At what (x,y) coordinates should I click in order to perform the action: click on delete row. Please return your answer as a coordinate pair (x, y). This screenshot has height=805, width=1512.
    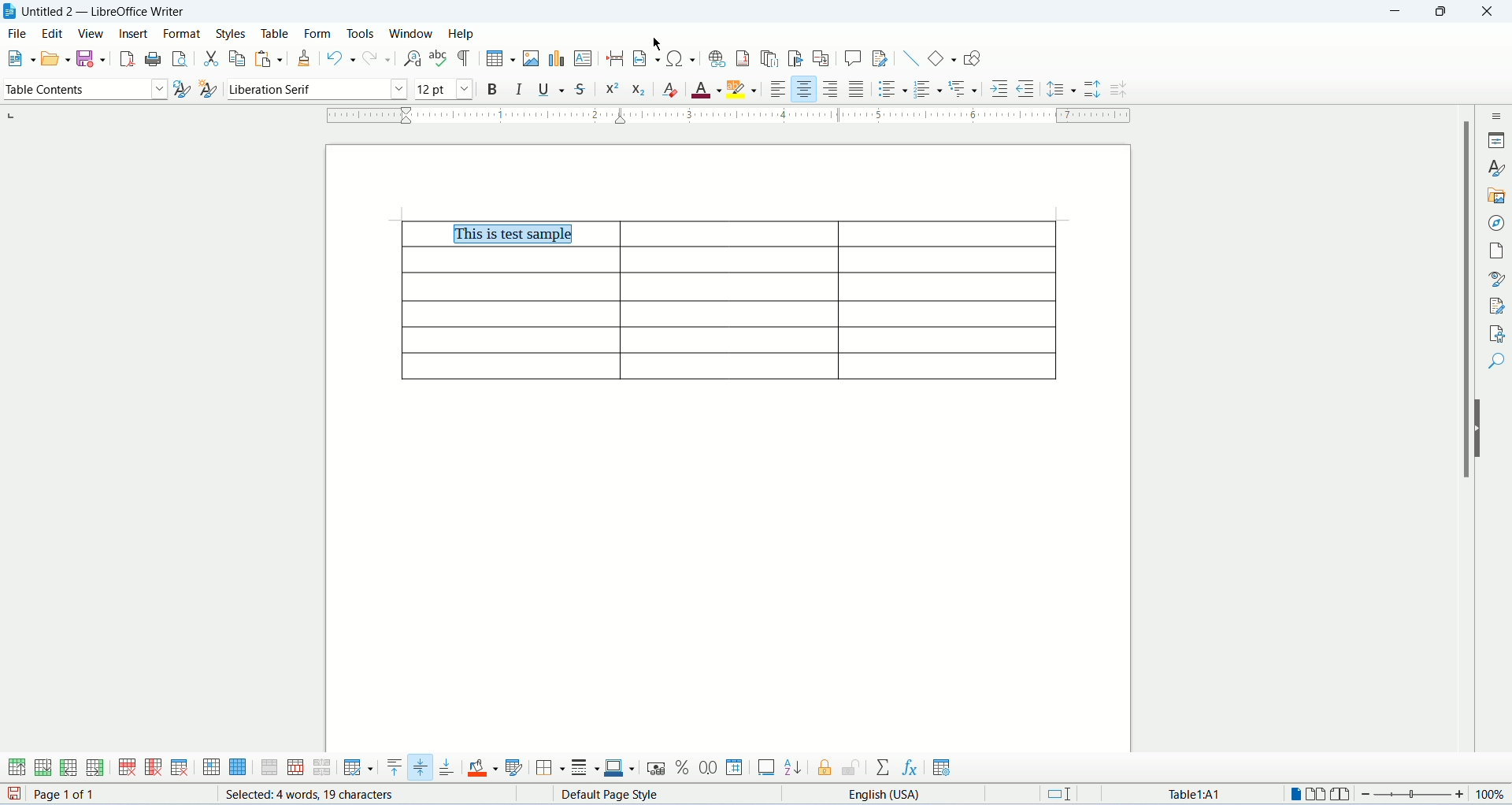
    Looking at the image, I should click on (129, 769).